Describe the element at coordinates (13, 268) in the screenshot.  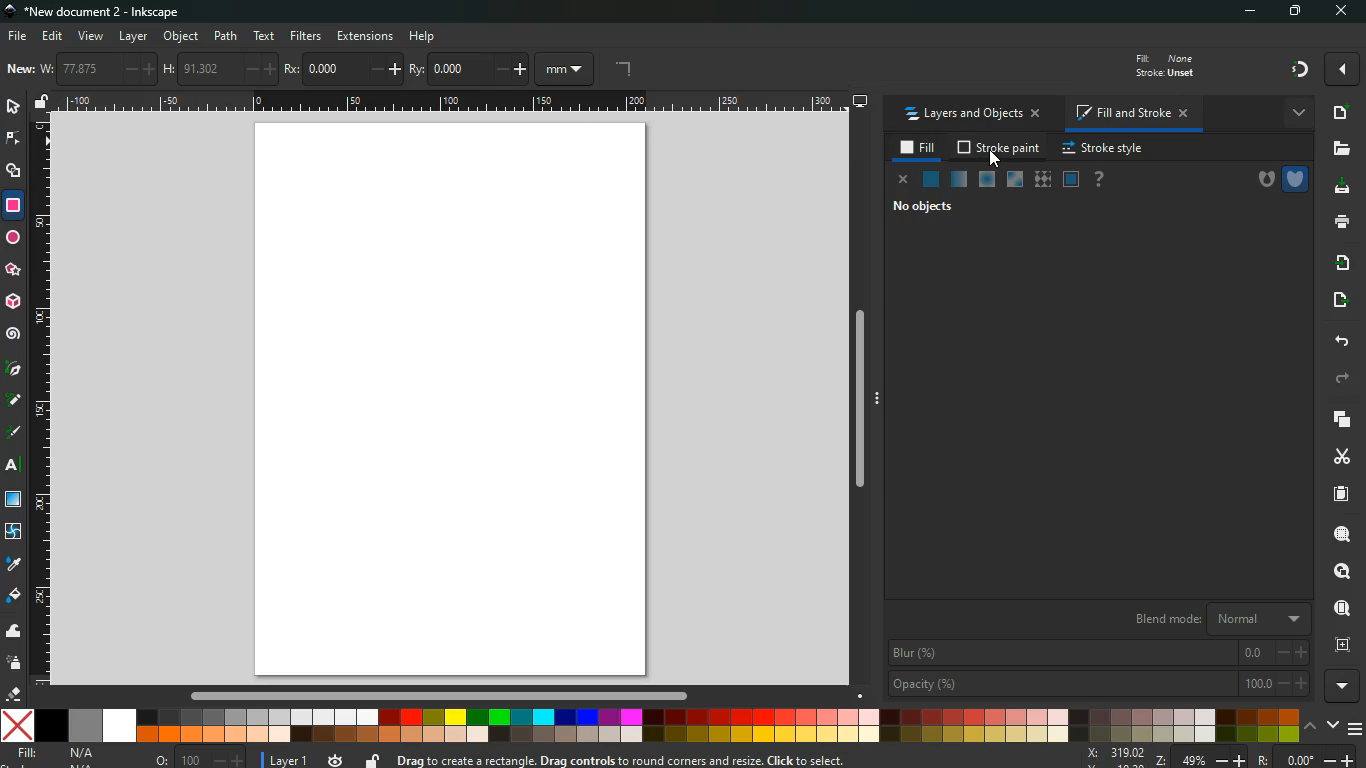
I see `star polygon` at that location.